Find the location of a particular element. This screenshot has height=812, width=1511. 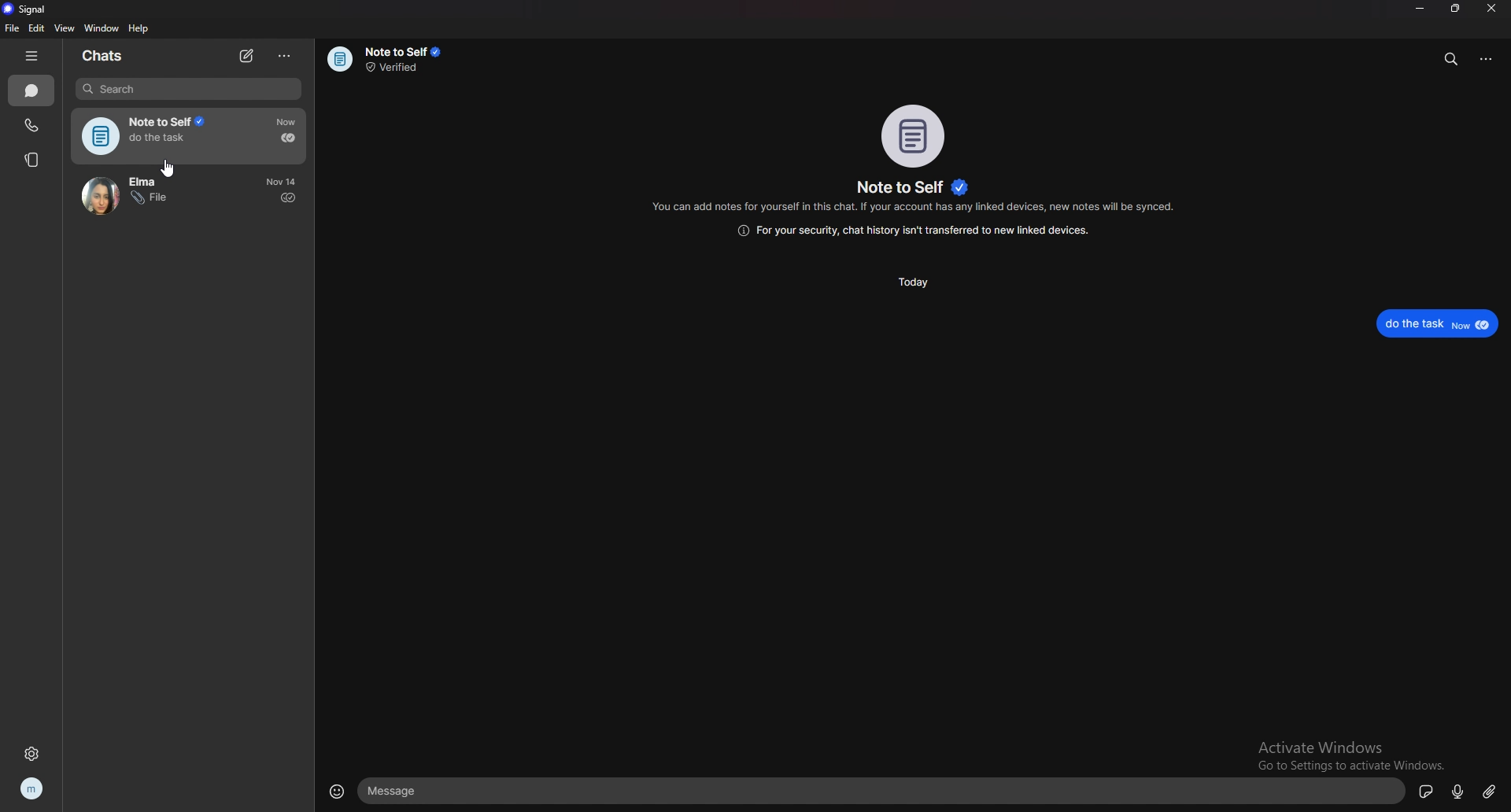

profile is located at coordinates (33, 788).